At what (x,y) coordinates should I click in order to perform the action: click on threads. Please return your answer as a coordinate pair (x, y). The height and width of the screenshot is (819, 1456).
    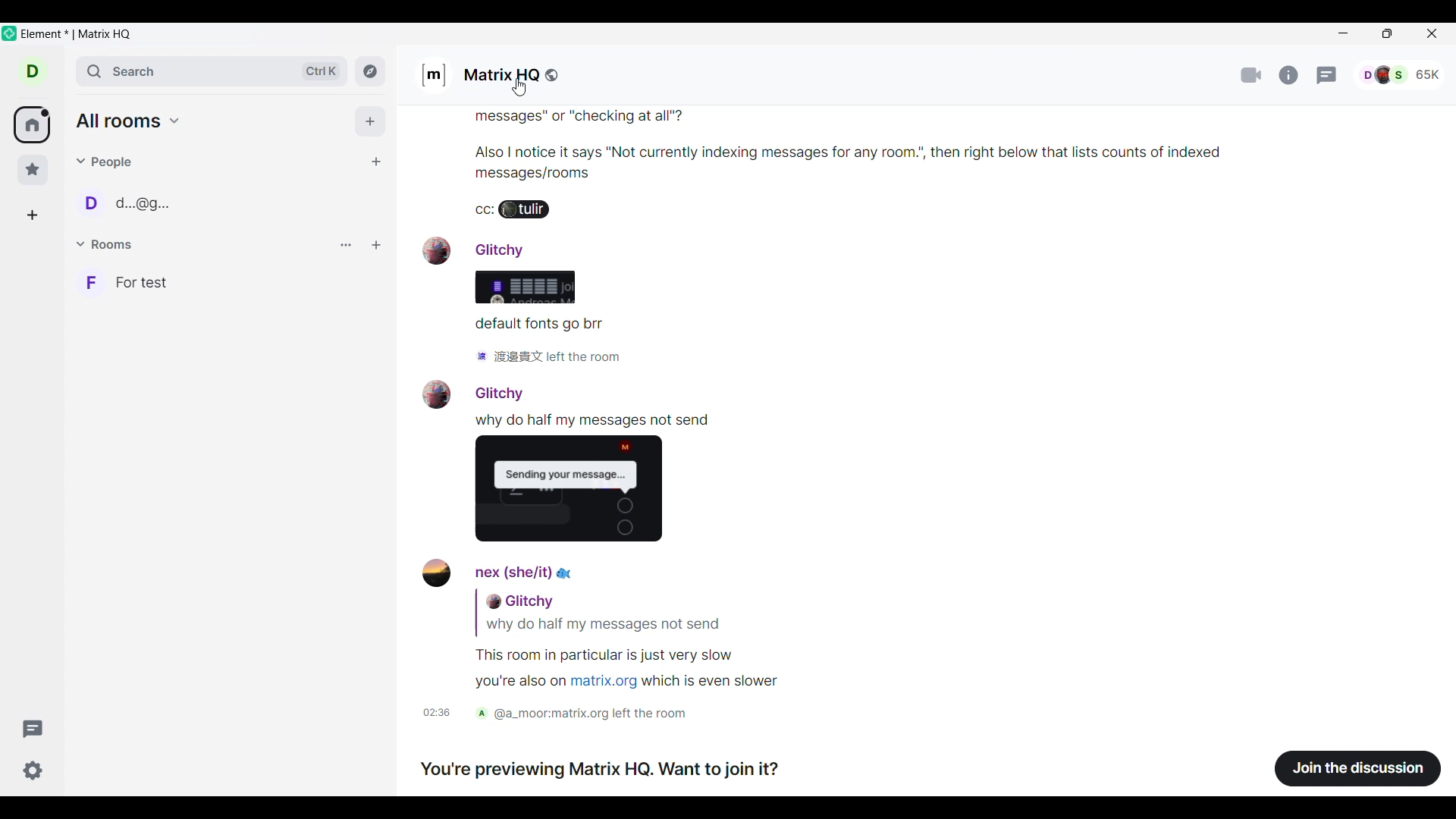
    Looking at the image, I should click on (1327, 75).